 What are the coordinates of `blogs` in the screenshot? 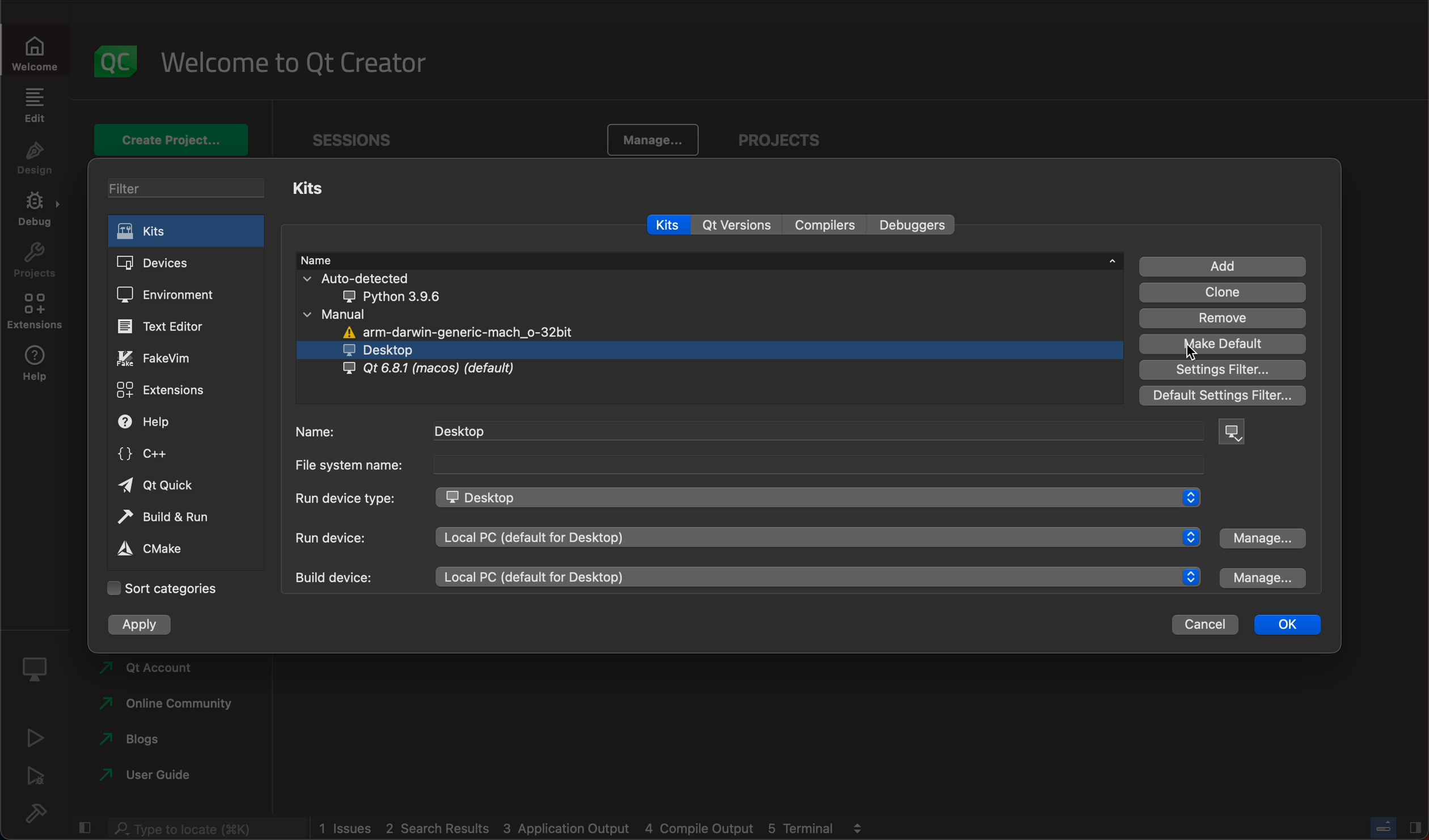 It's located at (134, 739).